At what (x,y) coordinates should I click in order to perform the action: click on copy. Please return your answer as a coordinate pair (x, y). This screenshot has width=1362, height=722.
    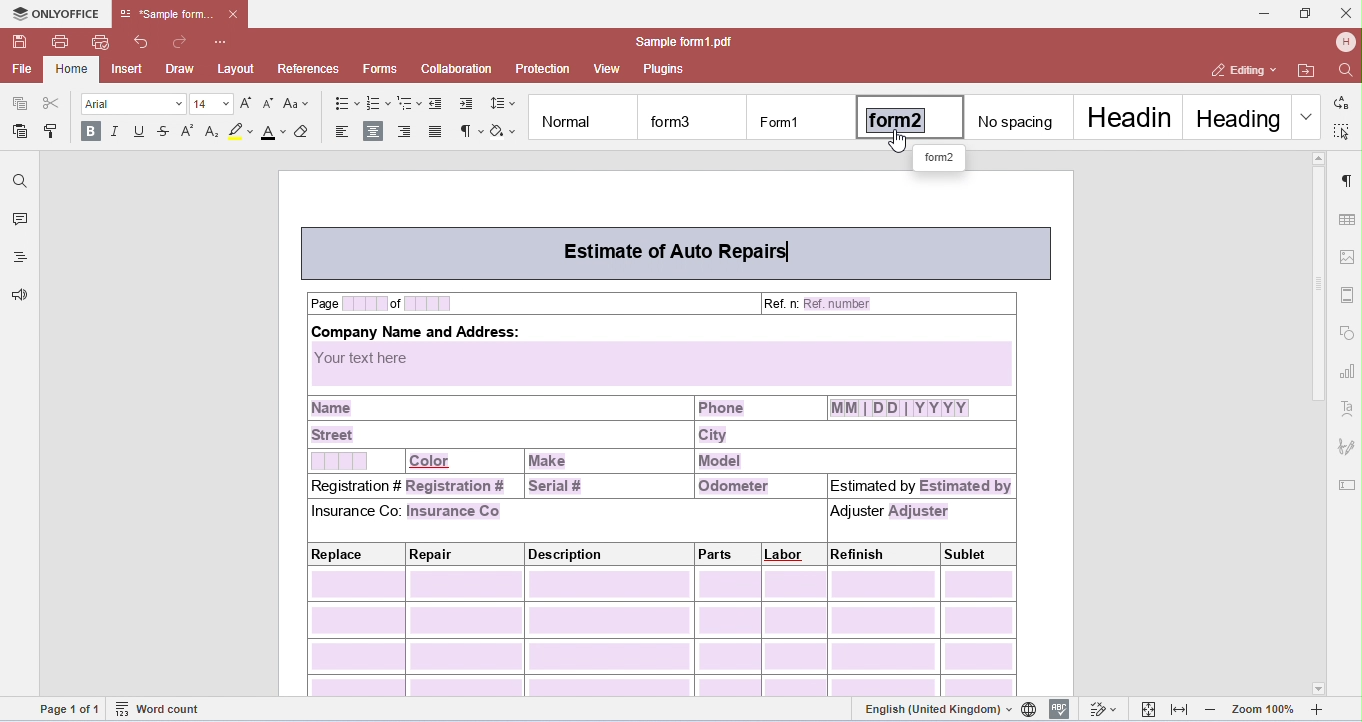
    Looking at the image, I should click on (20, 104).